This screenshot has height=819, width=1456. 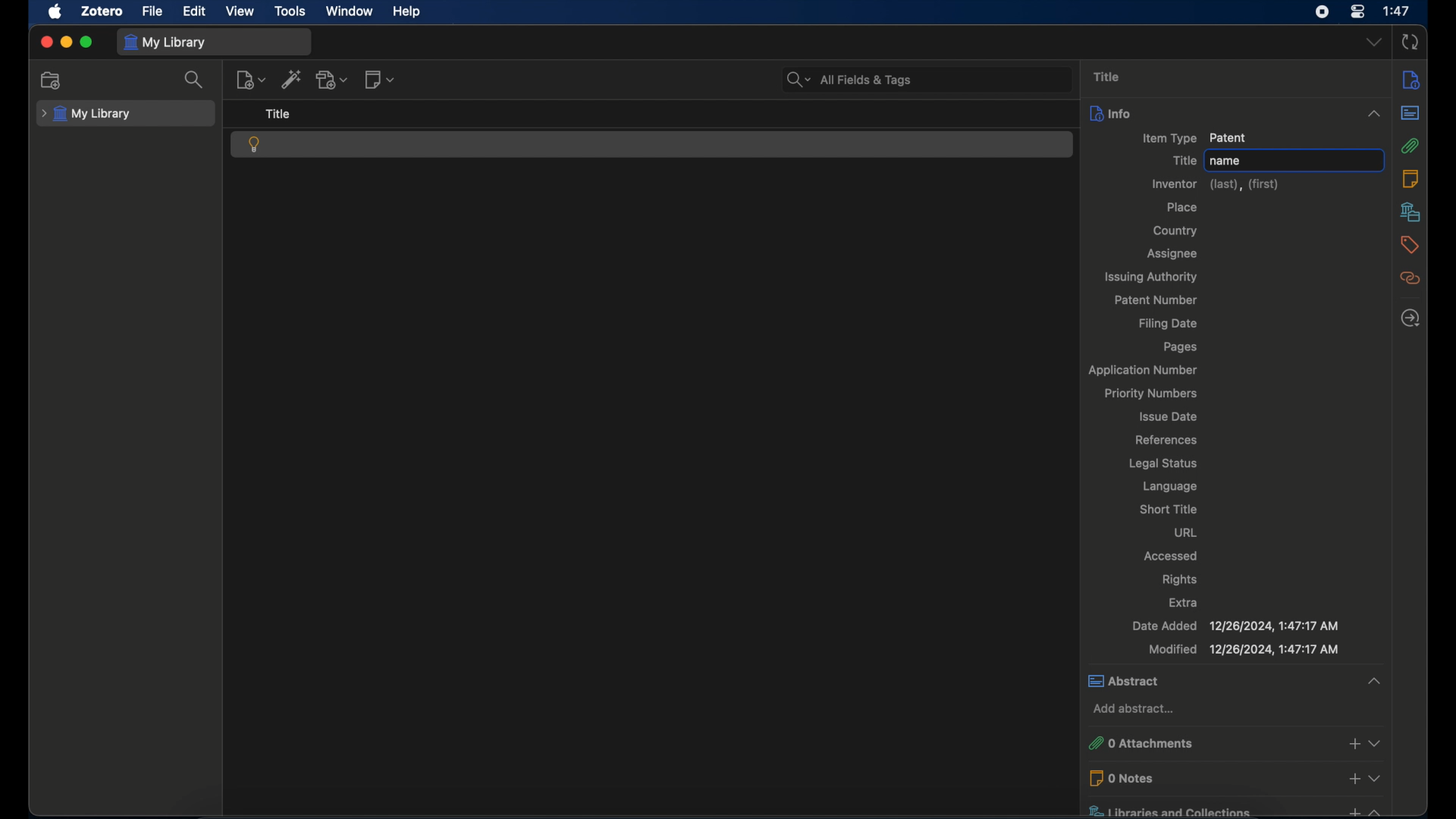 What do you see at coordinates (1184, 160) in the screenshot?
I see `title` at bounding box center [1184, 160].